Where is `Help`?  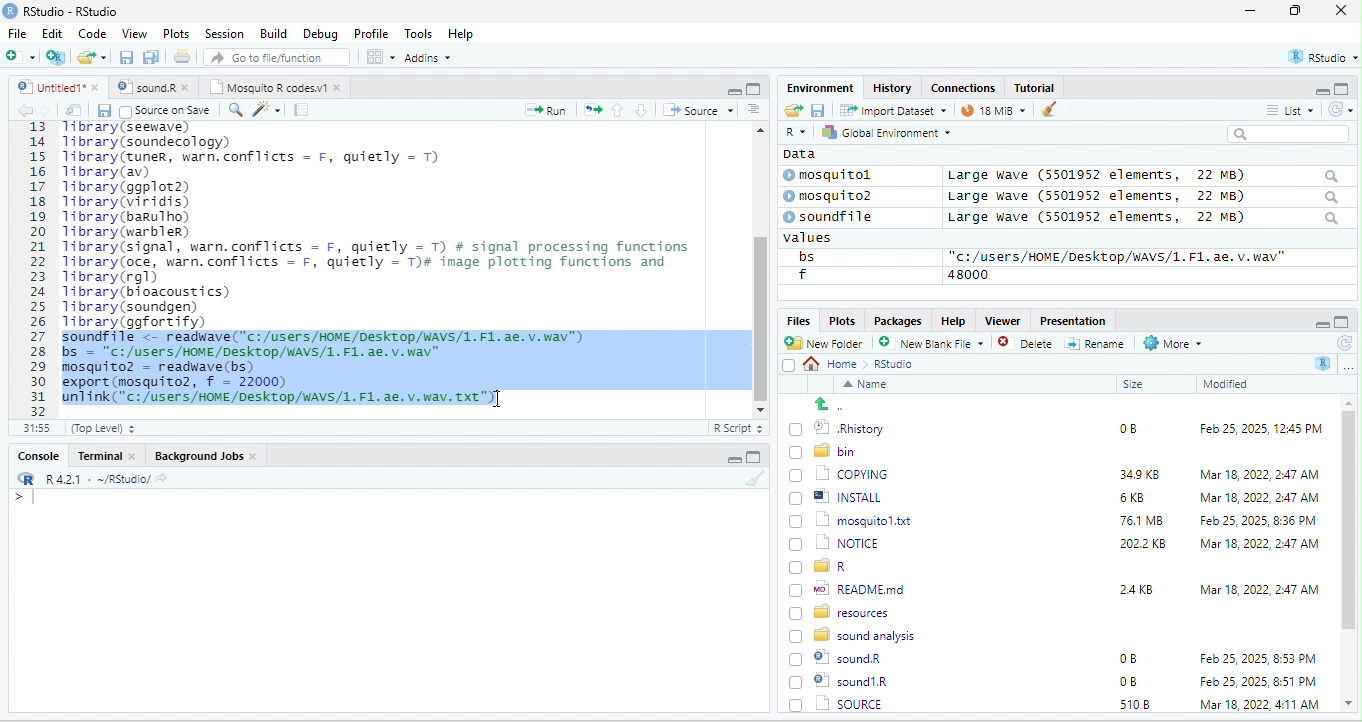
Help is located at coordinates (953, 319).